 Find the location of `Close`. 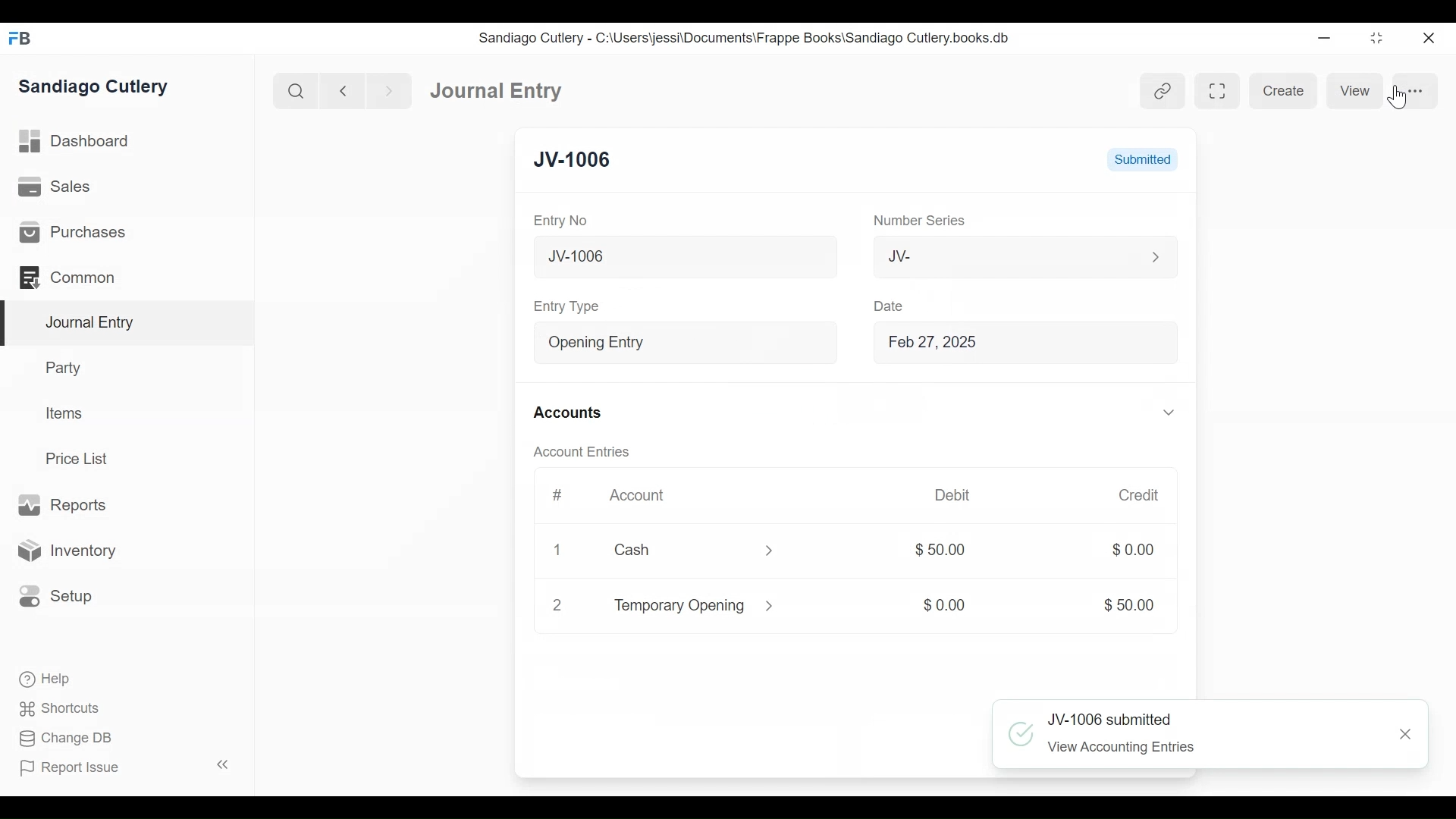

Close is located at coordinates (557, 606).